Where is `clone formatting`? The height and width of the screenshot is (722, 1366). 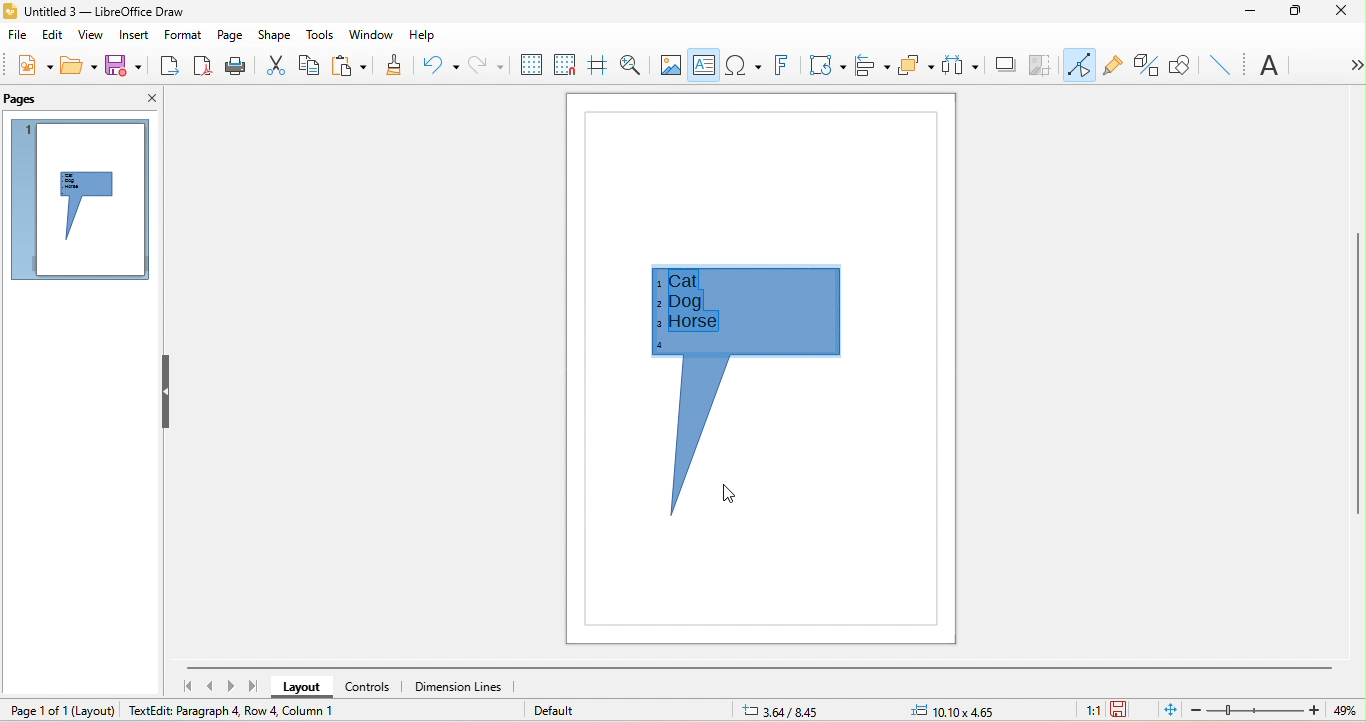 clone formatting is located at coordinates (389, 67).